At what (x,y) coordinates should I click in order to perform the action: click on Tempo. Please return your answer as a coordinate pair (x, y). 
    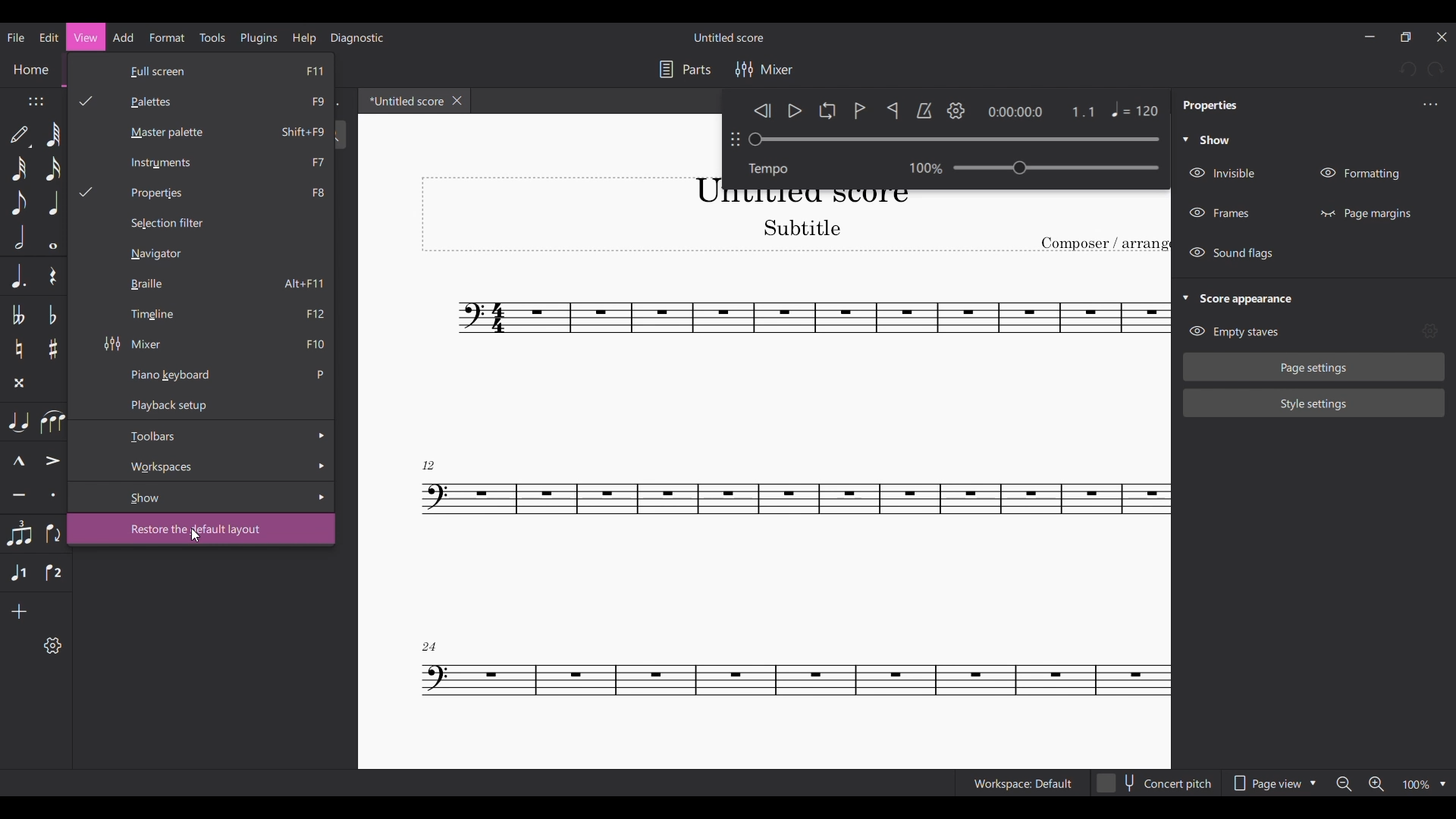
    Looking at the image, I should click on (1057, 167).